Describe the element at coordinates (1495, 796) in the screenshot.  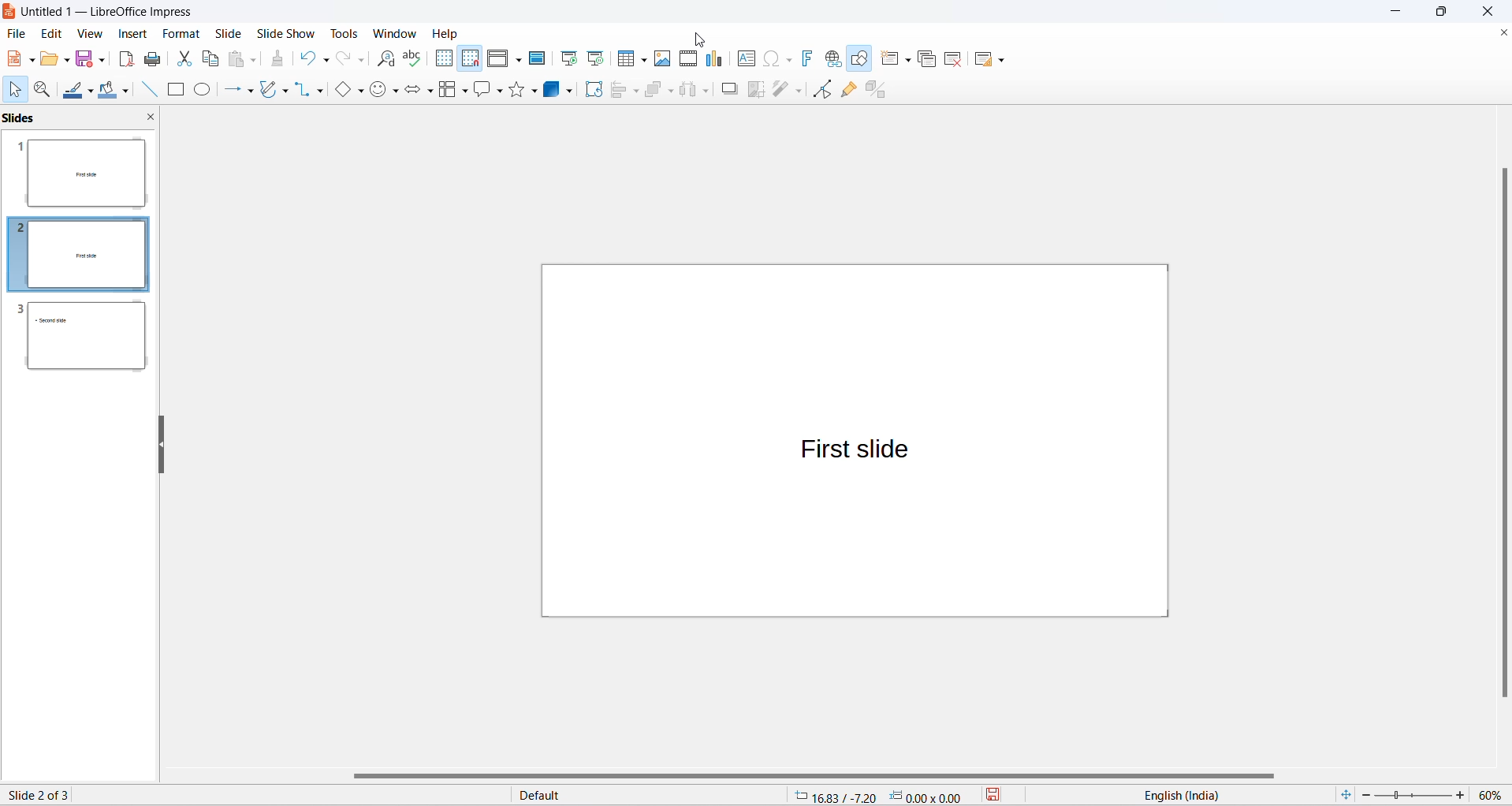
I see `zoom percentage` at that location.